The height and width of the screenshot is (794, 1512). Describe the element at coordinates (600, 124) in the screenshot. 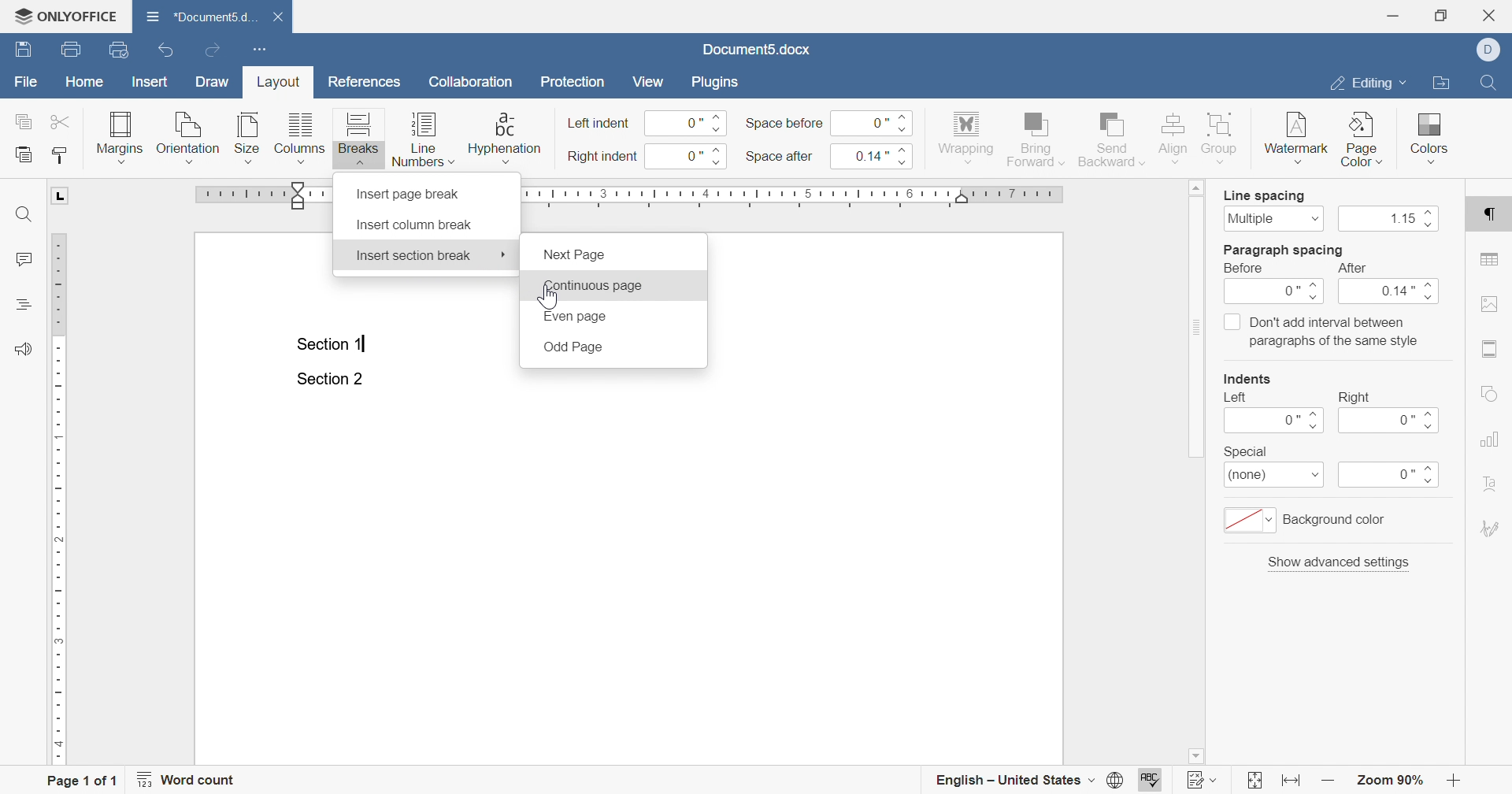

I see `left indent` at that location.